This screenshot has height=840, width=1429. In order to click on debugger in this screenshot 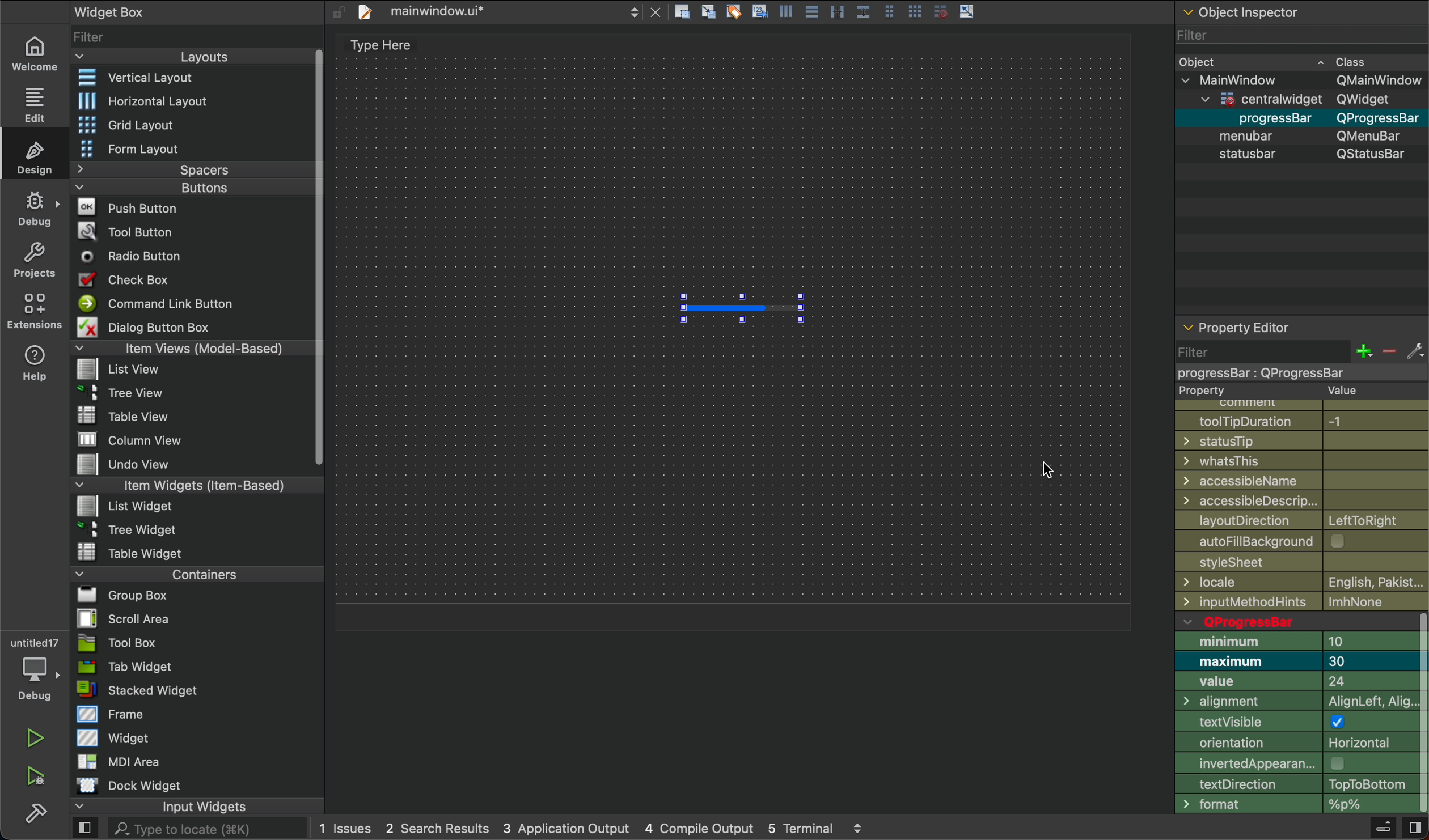, I will do `click(34, 667)`.